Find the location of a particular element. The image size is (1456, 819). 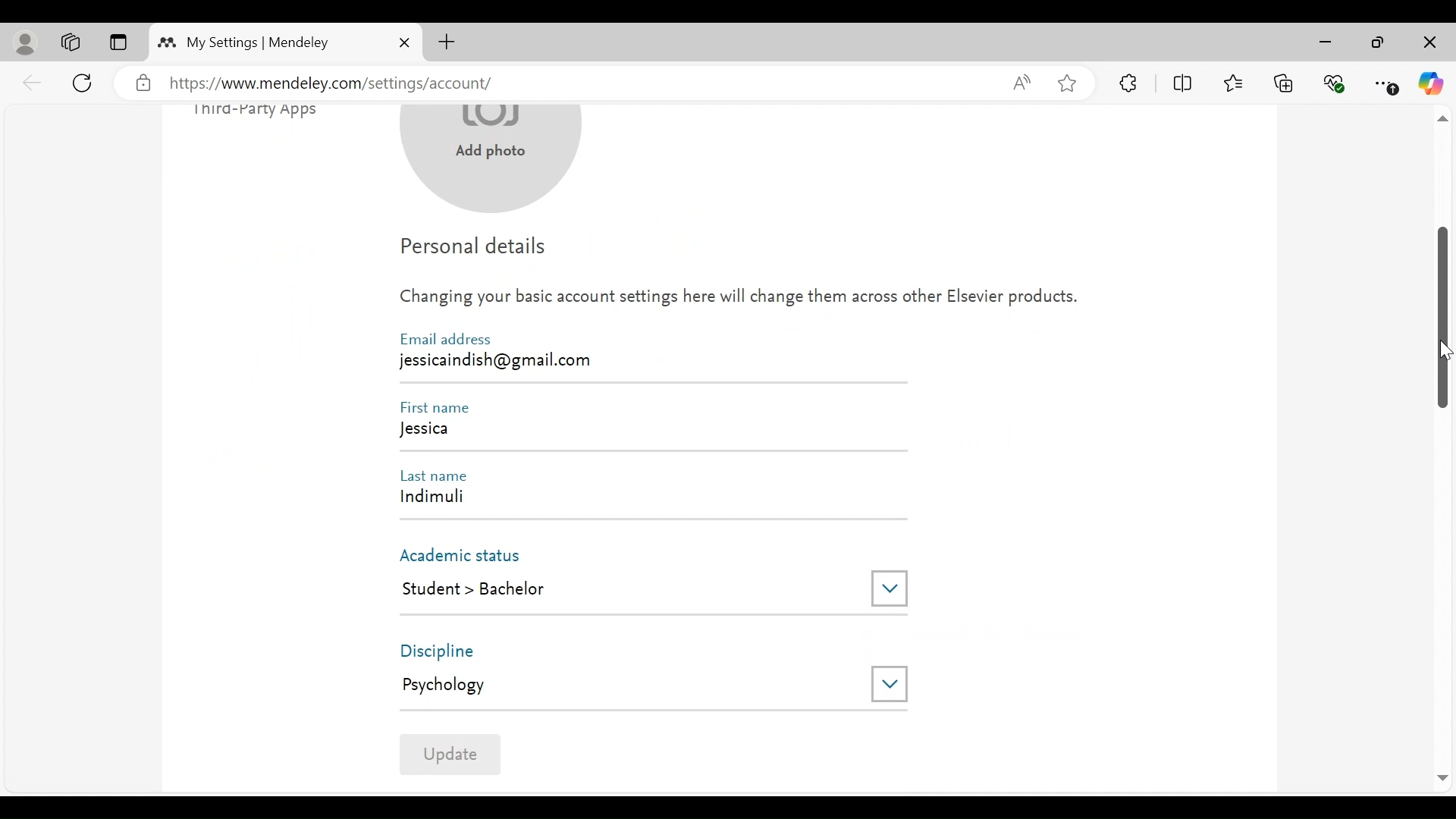

Personal Details is located at coordinates (475, 249).